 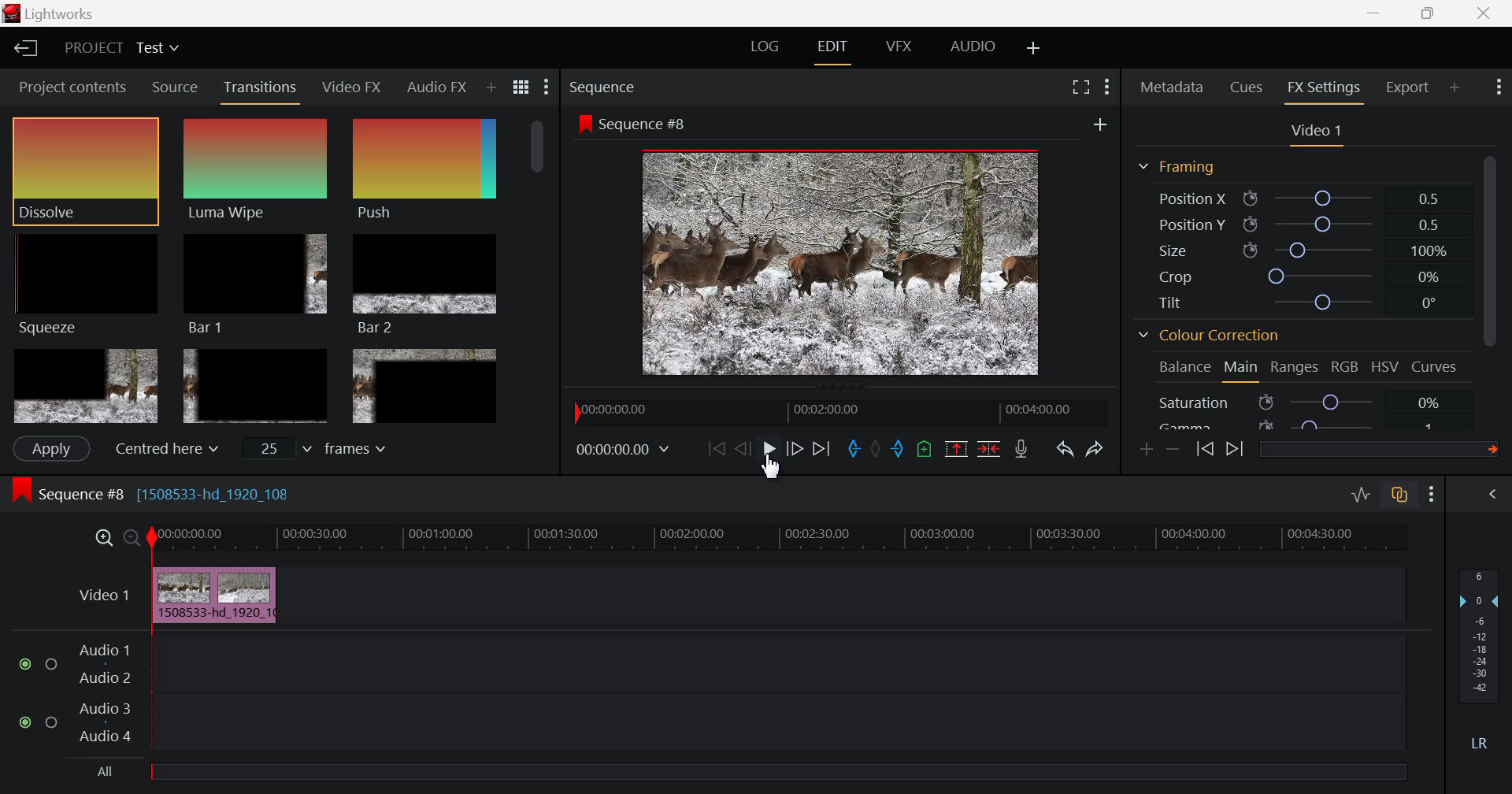 What do you see at coordinates (606, 87) in the screenshot?
I see `Sequence ` at bounding box center [606, 87].